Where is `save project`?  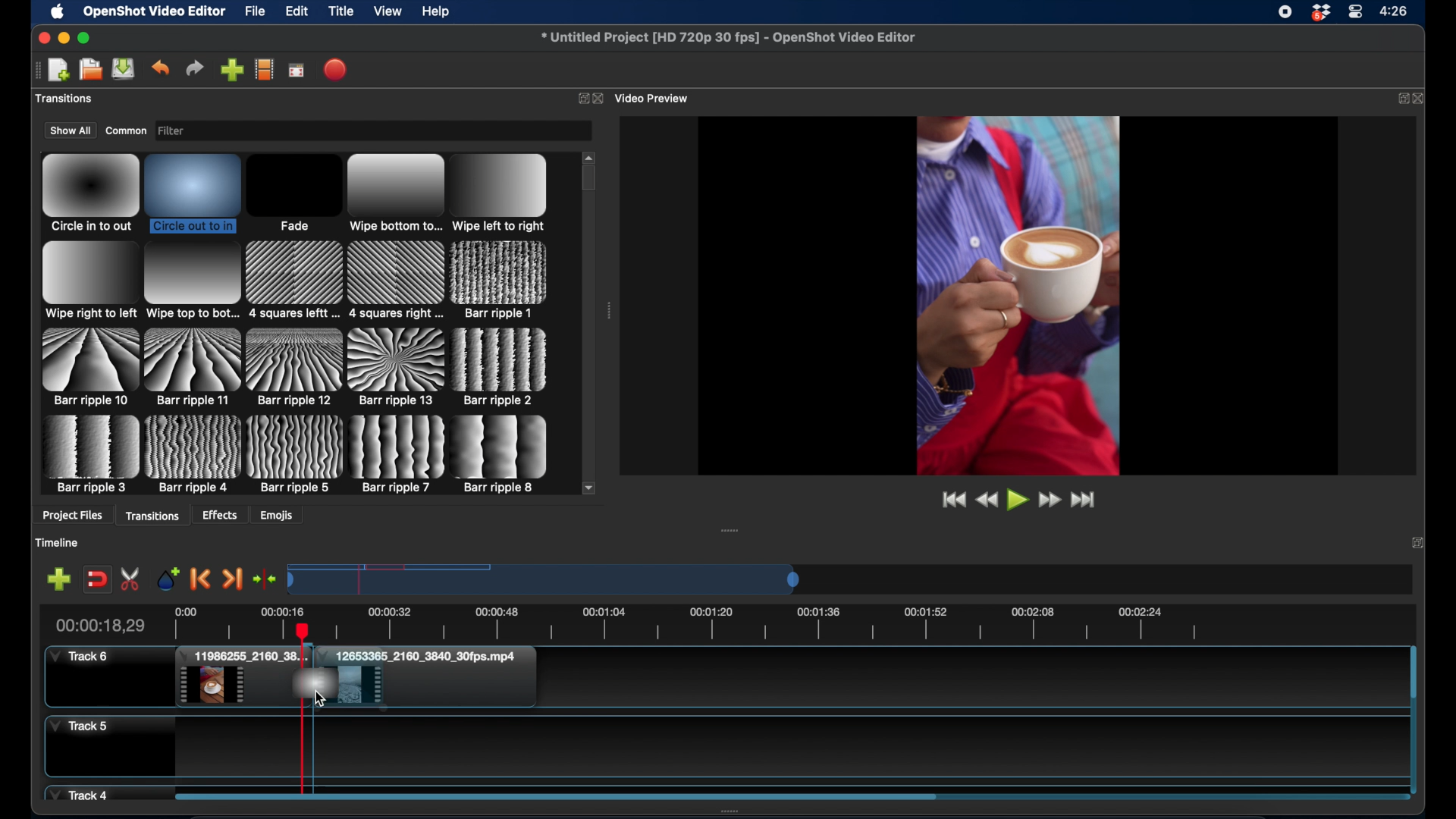 save project is located at coordinates (124, 69).